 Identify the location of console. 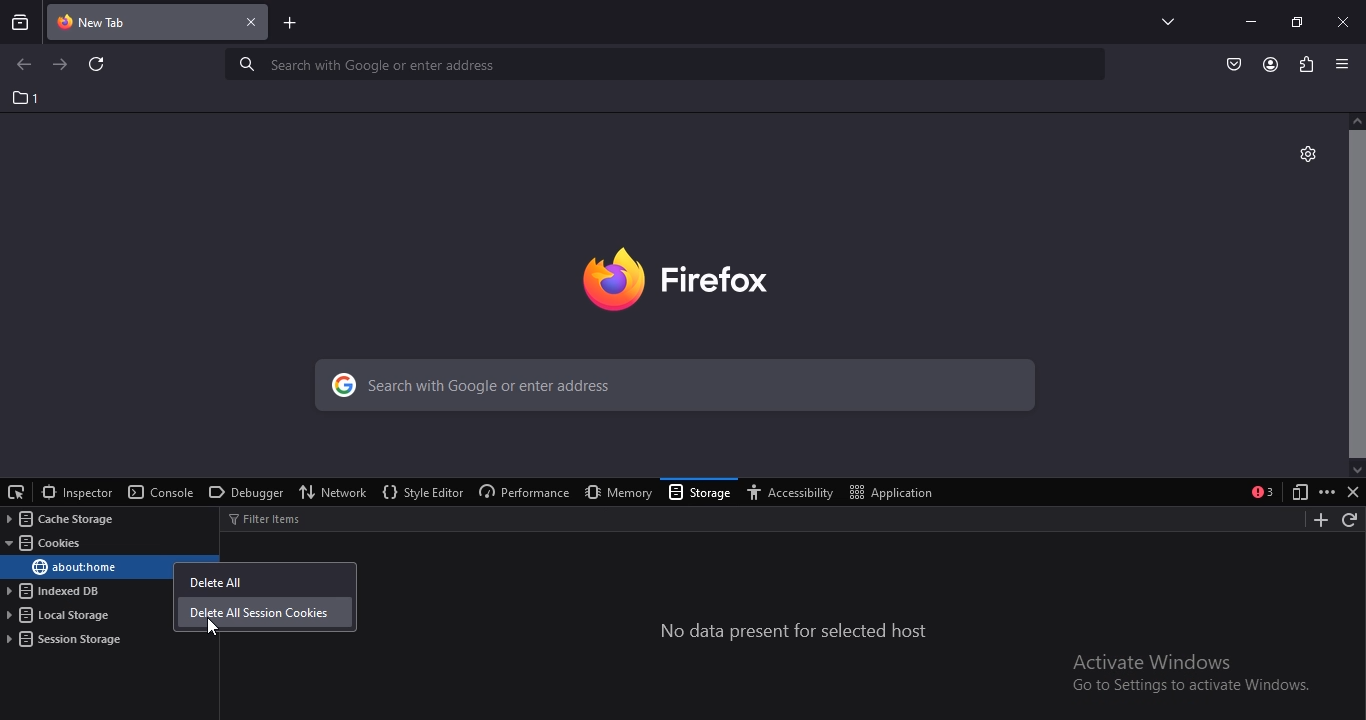
(161, 493).